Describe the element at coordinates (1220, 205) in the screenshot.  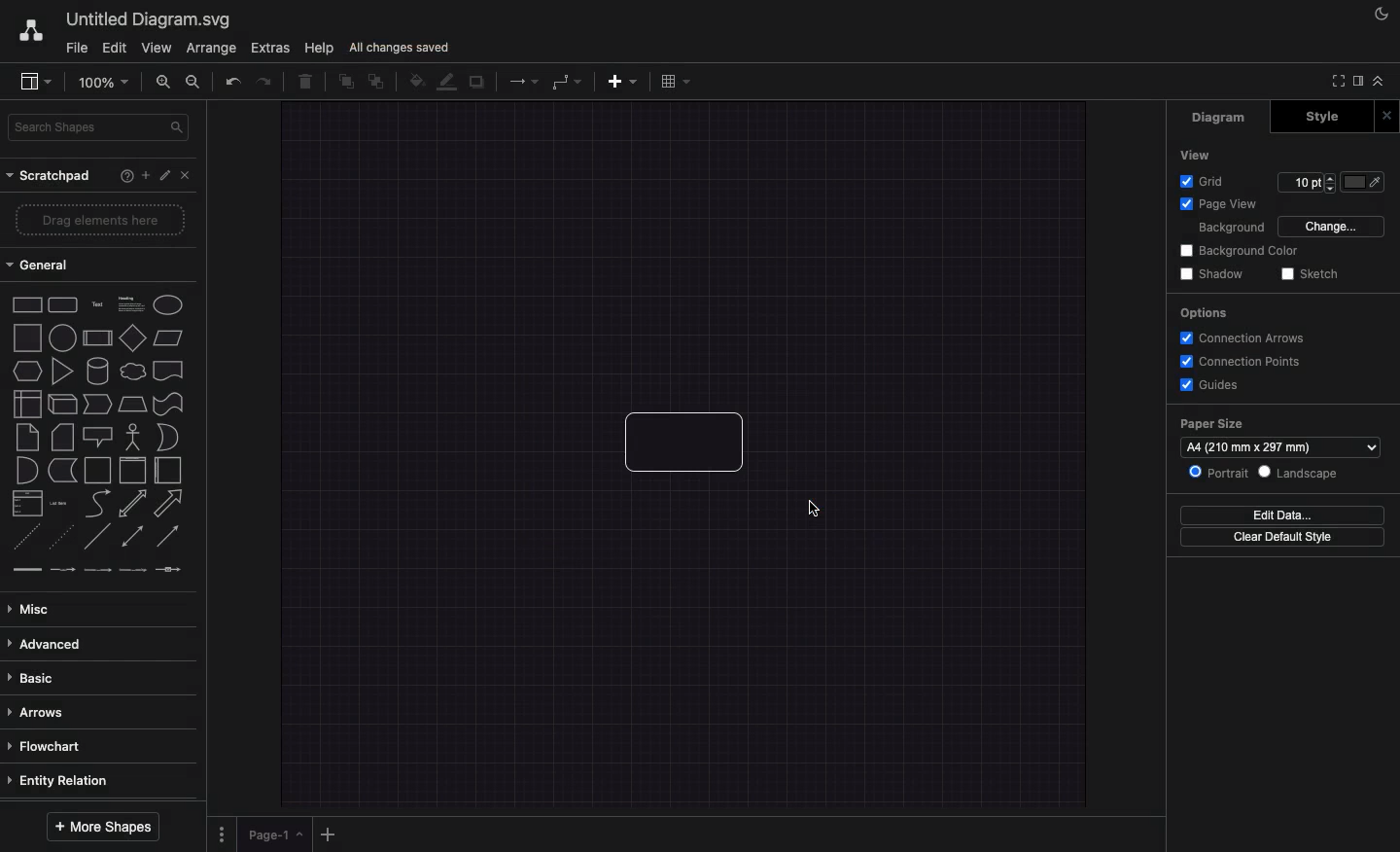
I see `Page view` at that location.